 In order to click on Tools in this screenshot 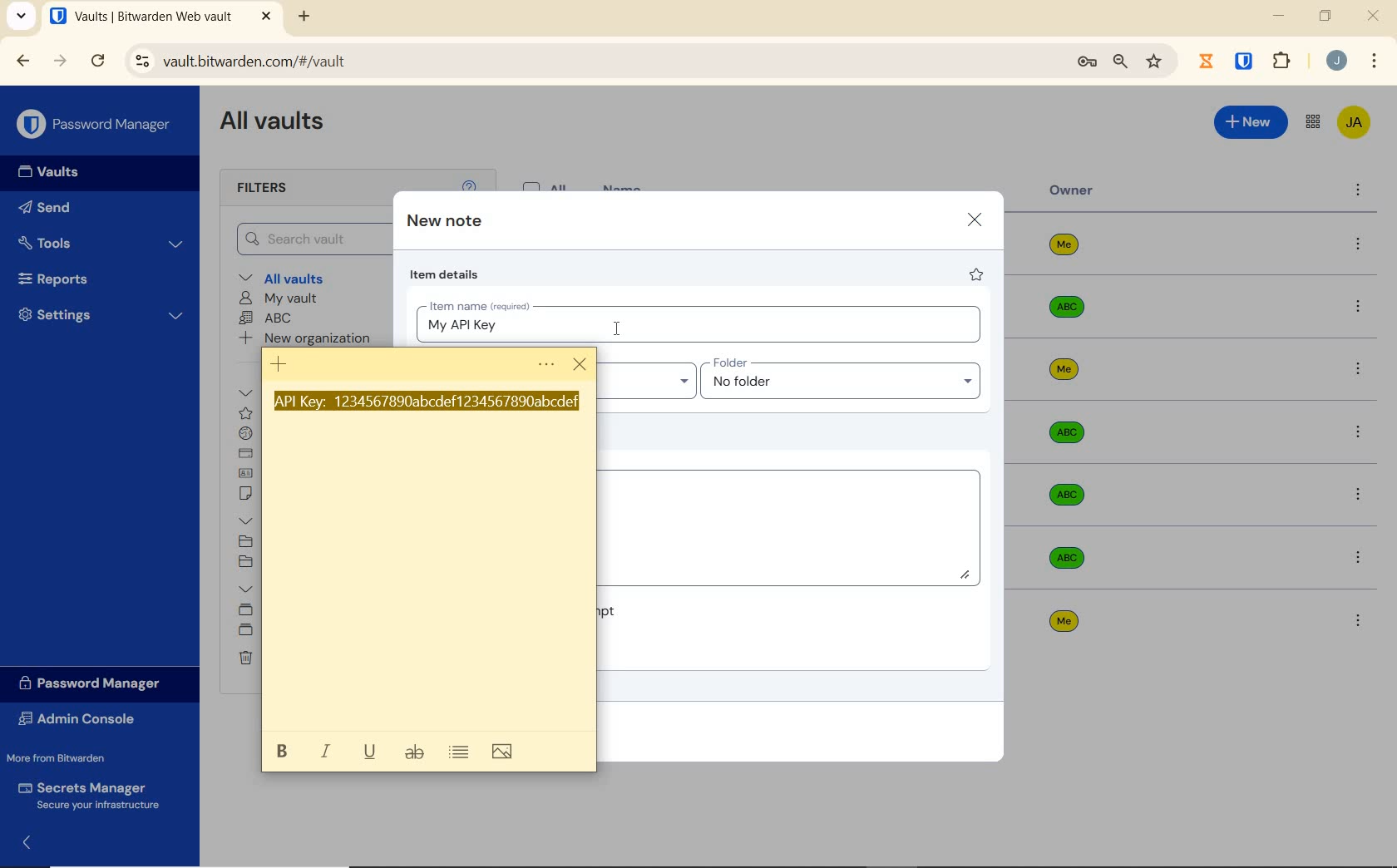, I will do `click(101, 241)`.